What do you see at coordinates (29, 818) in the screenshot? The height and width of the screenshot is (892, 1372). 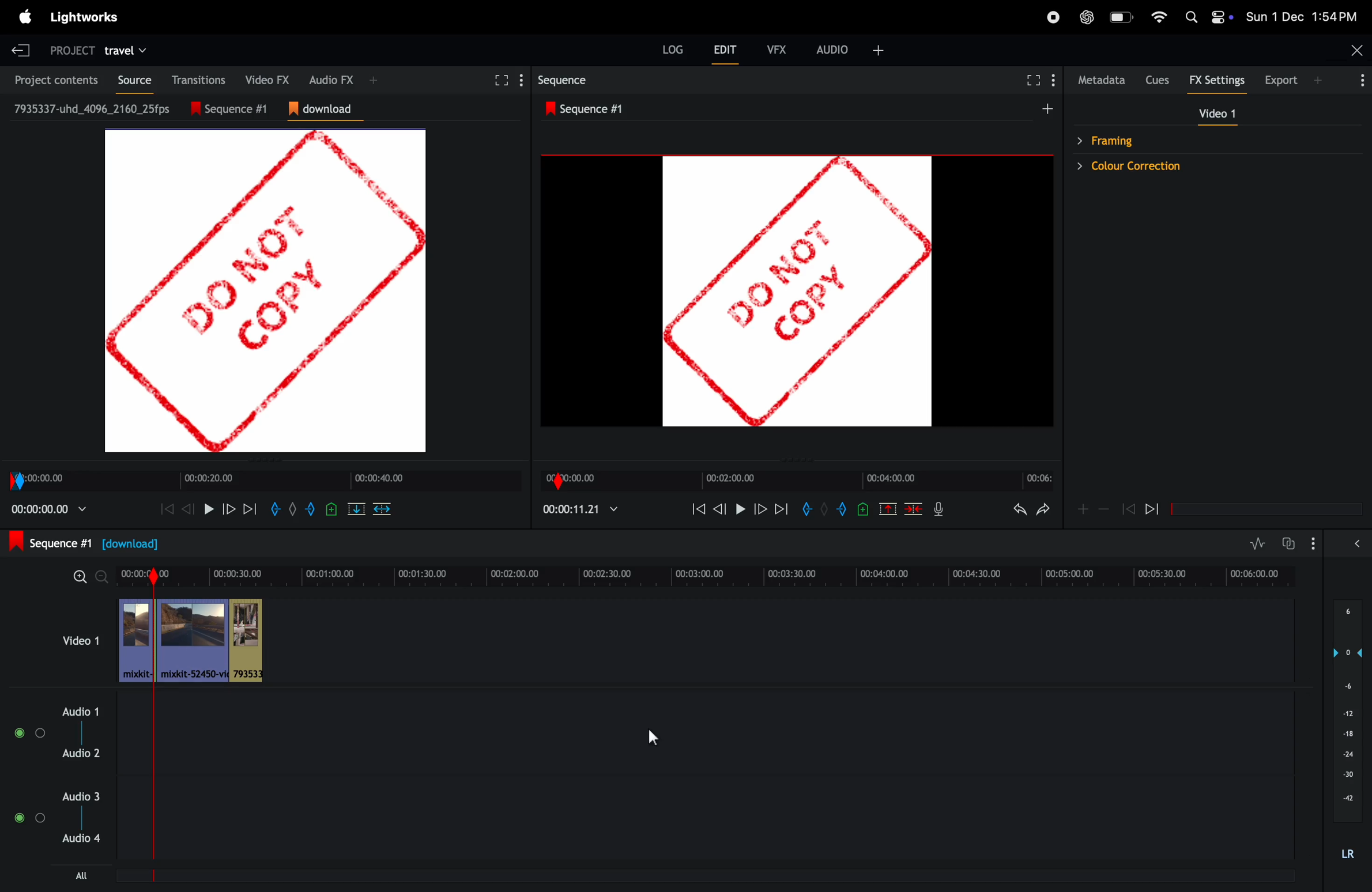 I see `options` at bounding box center [29, 818].